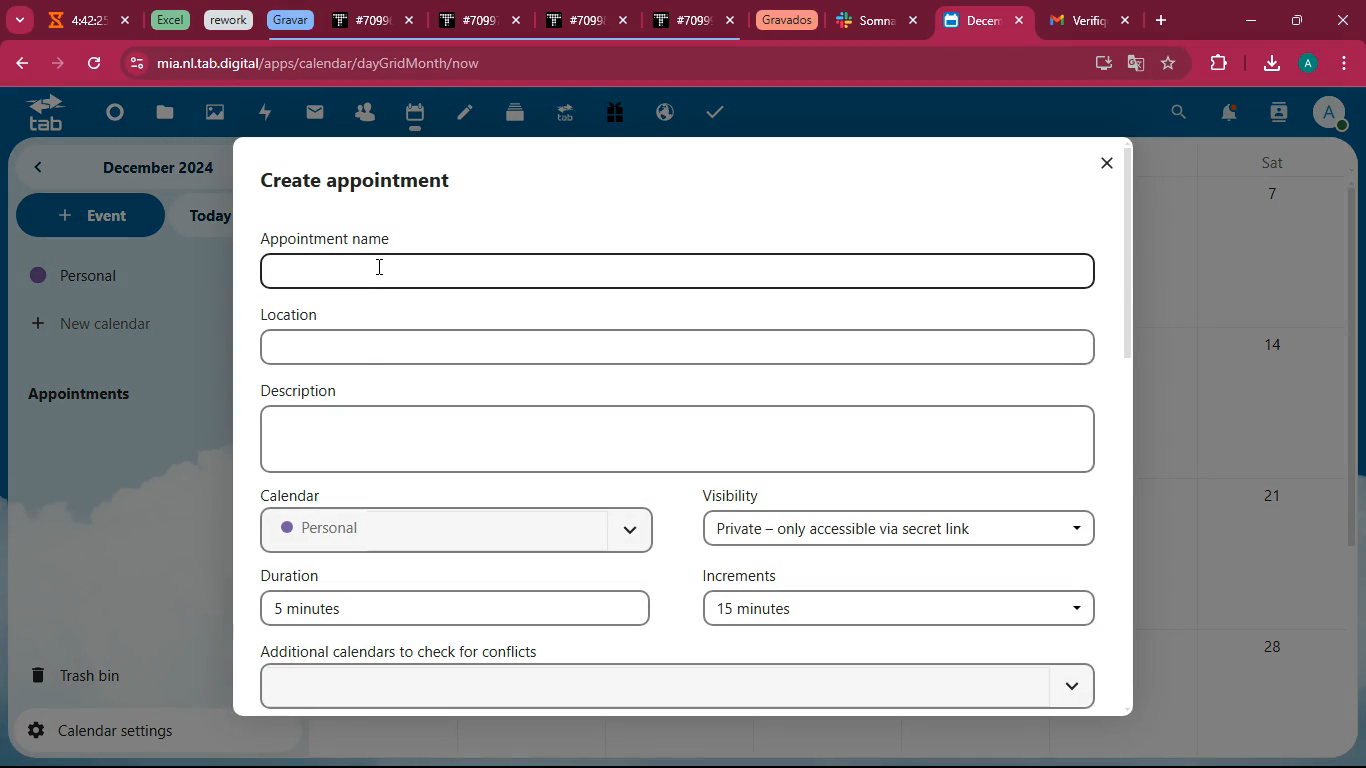  I want to click on 5 minutes, so click(455, 607).